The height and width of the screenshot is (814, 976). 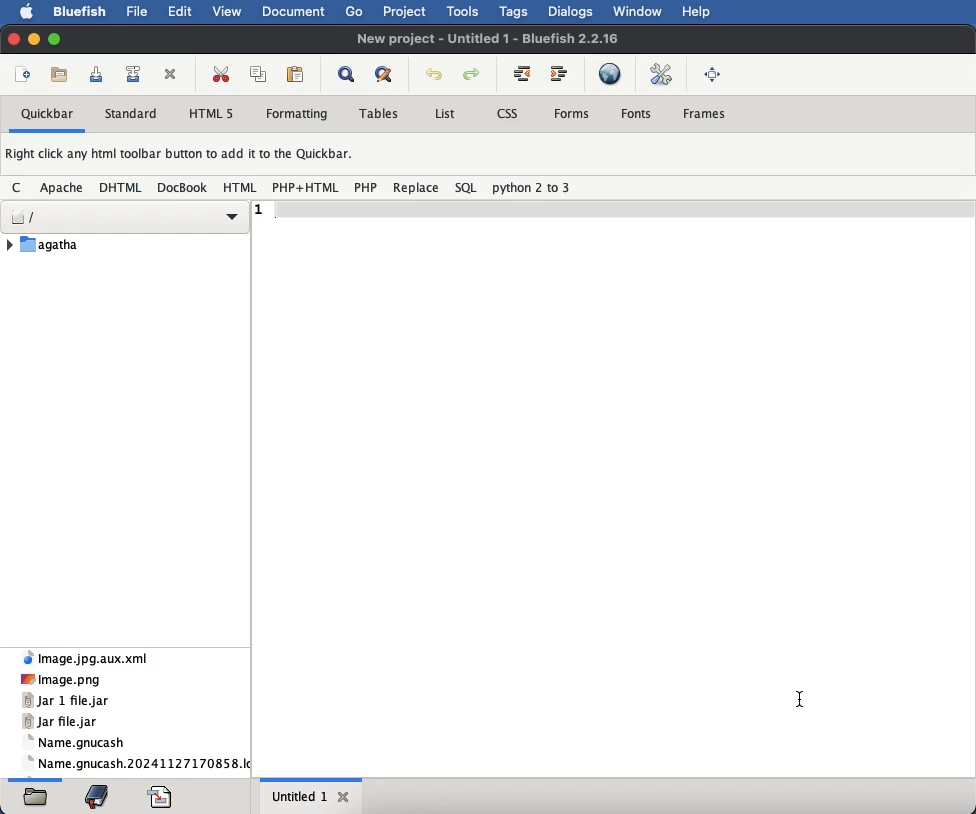 What do you see at coordinates (221, 73) in the screenshot?
I see `cut` at bounding box center [221, 73].